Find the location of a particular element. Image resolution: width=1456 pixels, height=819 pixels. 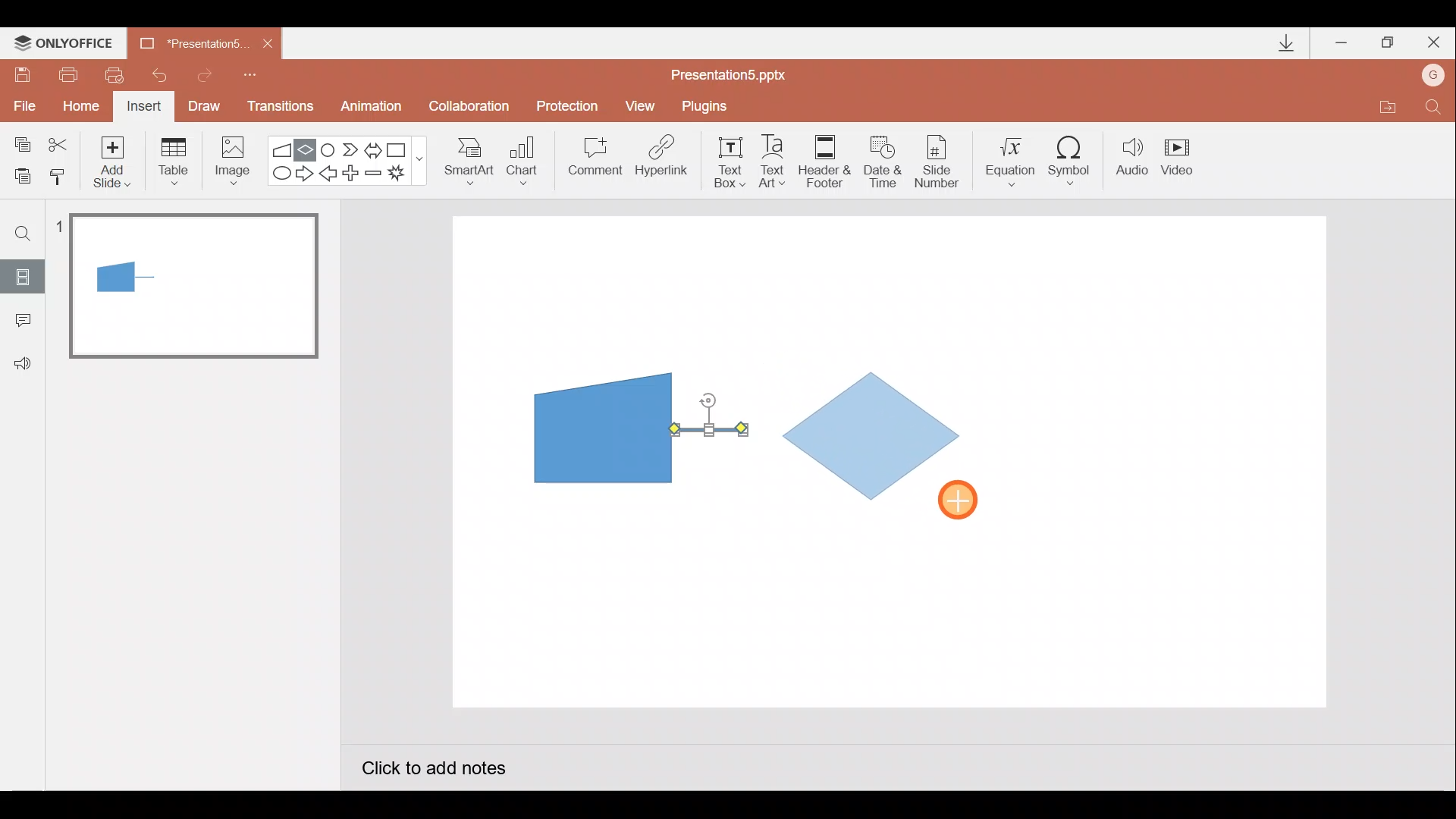

Home is located at coordinates (77, 102).